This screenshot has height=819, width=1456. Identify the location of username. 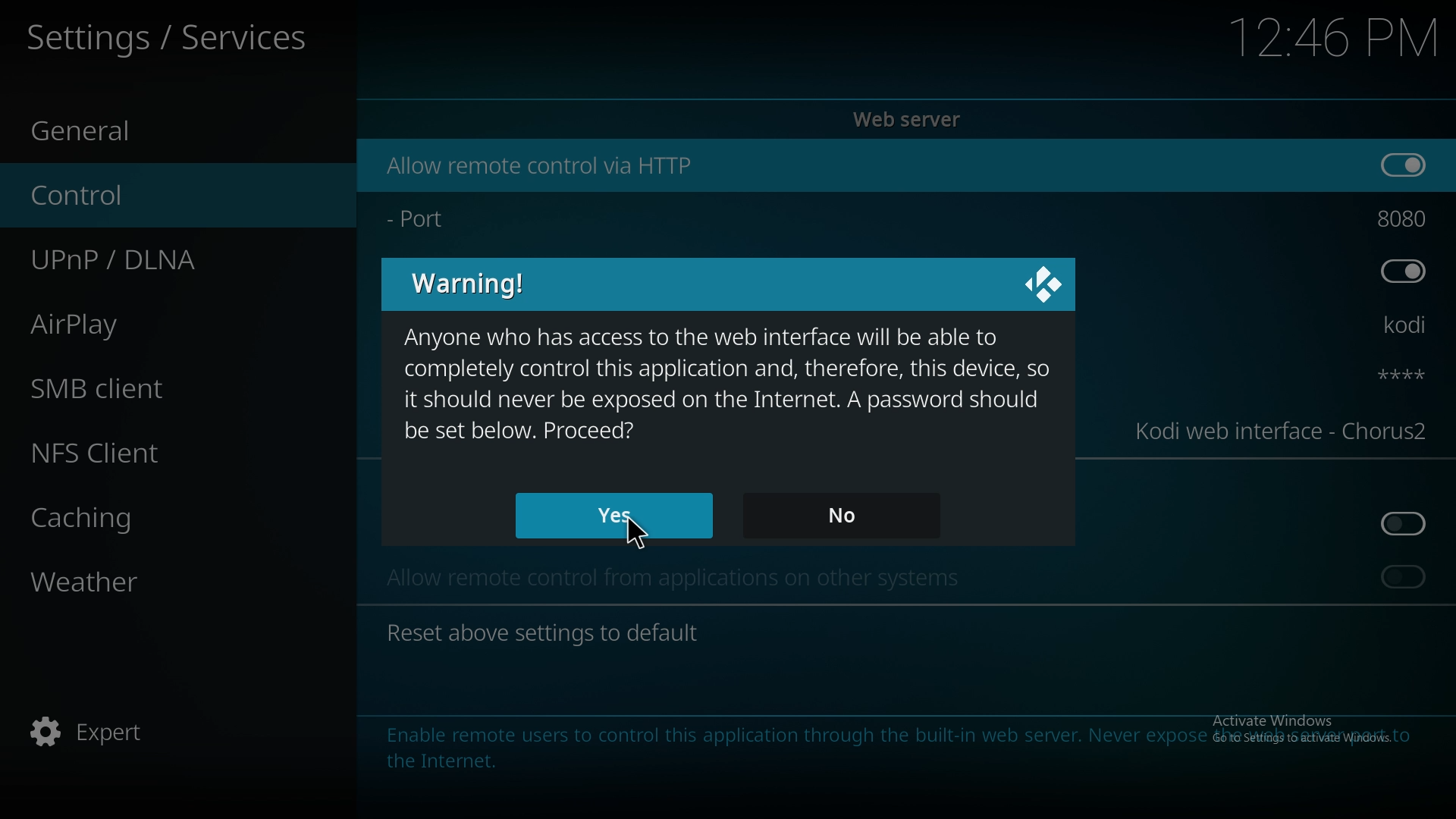
(1407, 327).